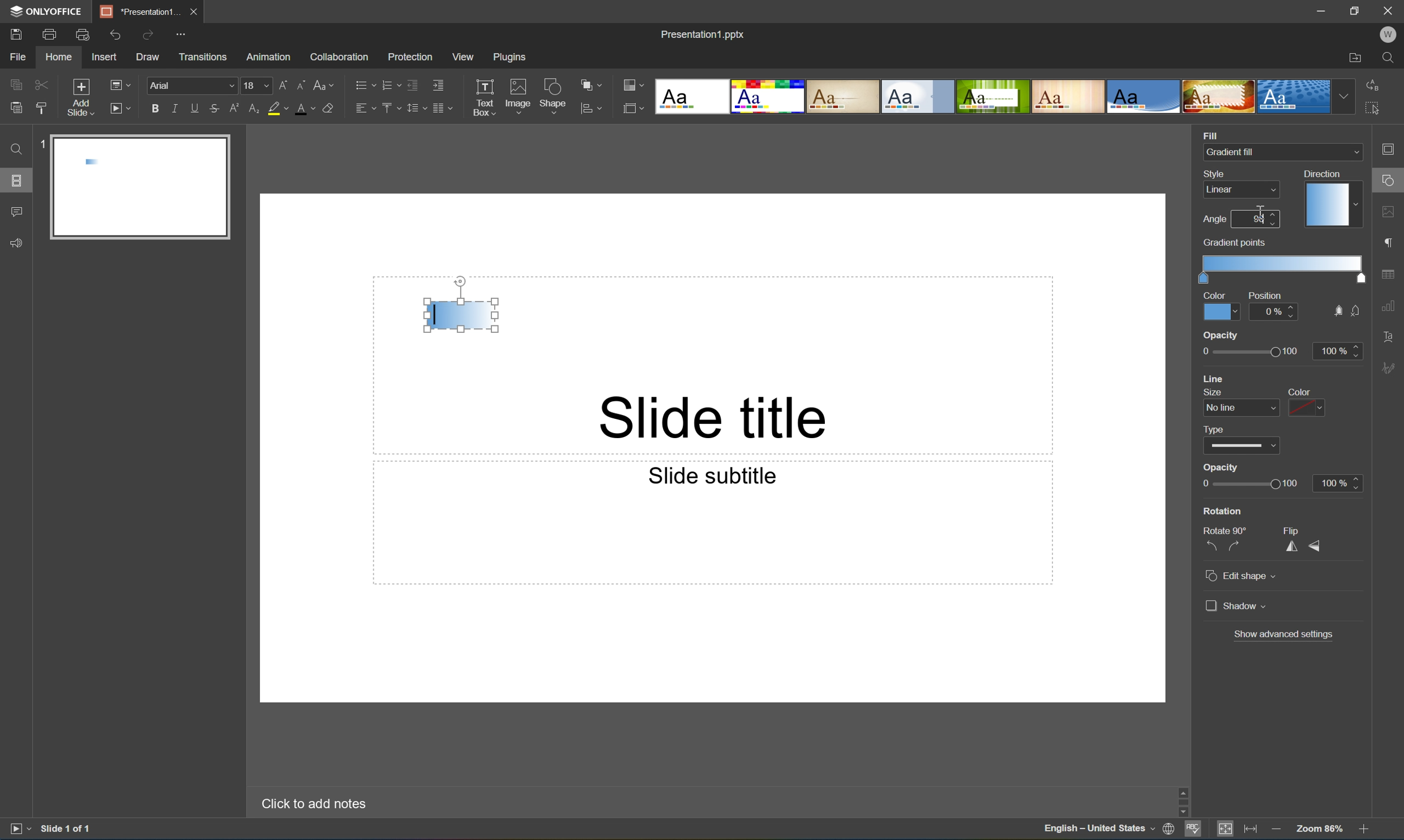  Describe the element at coordinates (269, 55) in the screenshot. I see `Amazon` at that location.